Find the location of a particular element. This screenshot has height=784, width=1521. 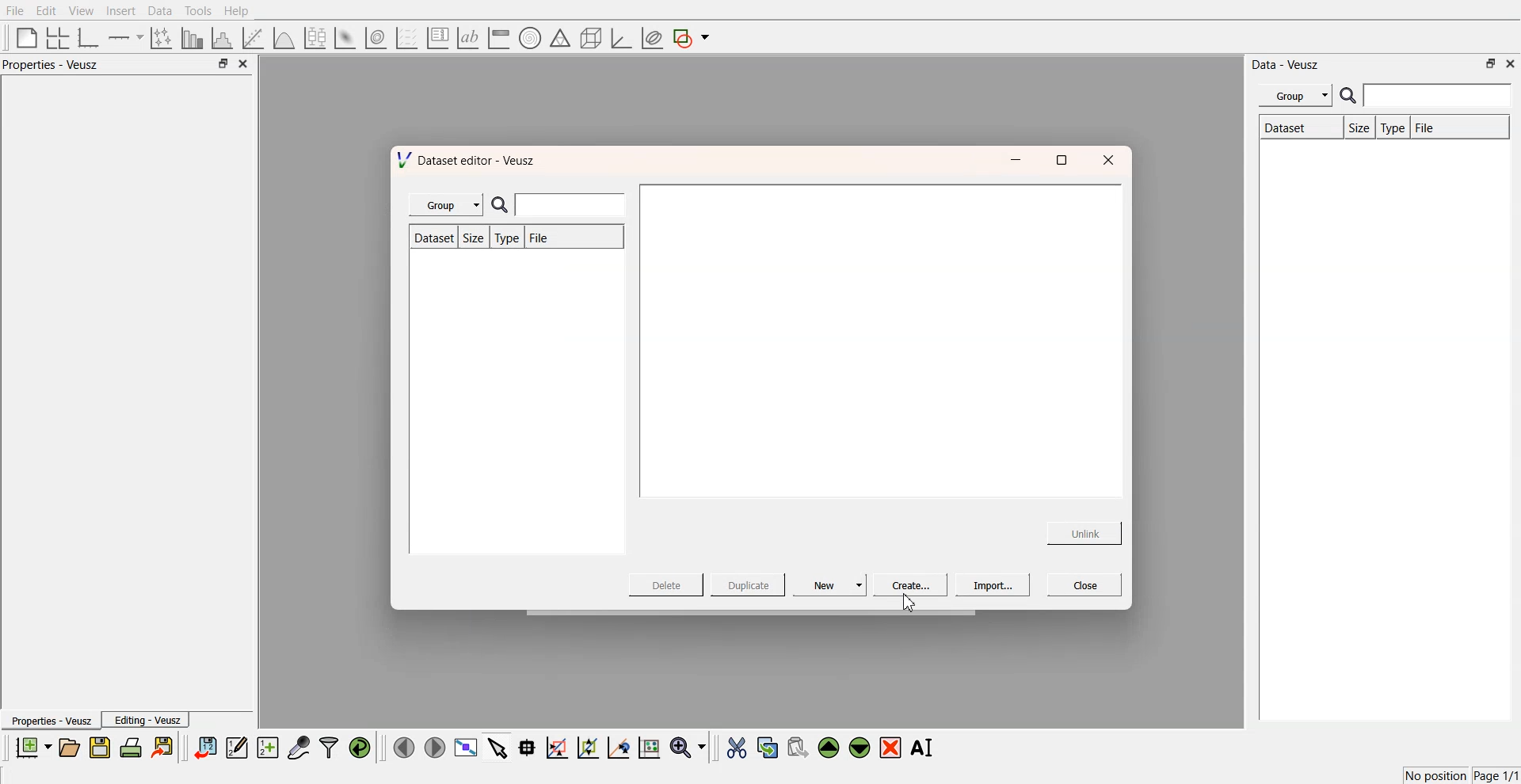

add an axis is located at coordinates (127, 37).